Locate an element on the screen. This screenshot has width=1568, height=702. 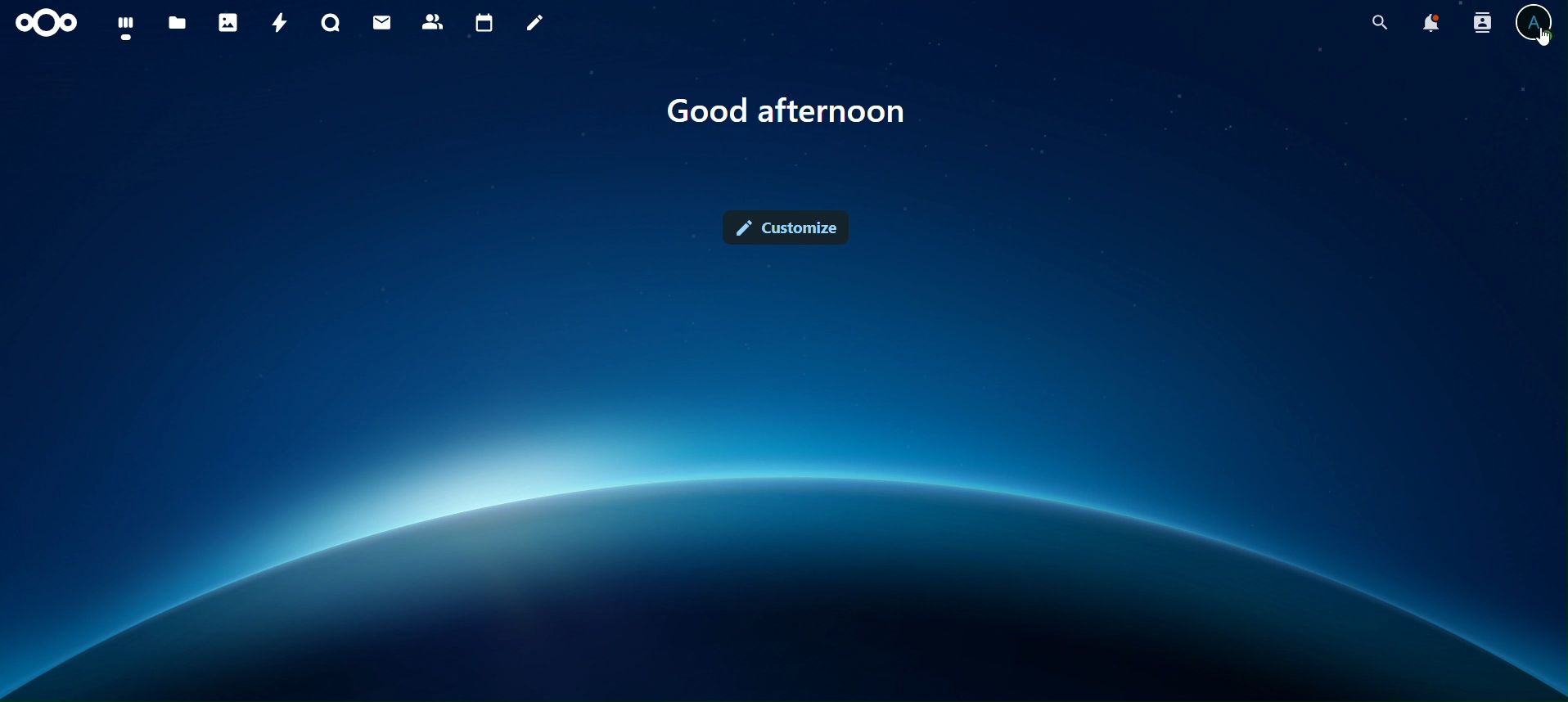
Good afternoon is located at coordinates (794, 112).